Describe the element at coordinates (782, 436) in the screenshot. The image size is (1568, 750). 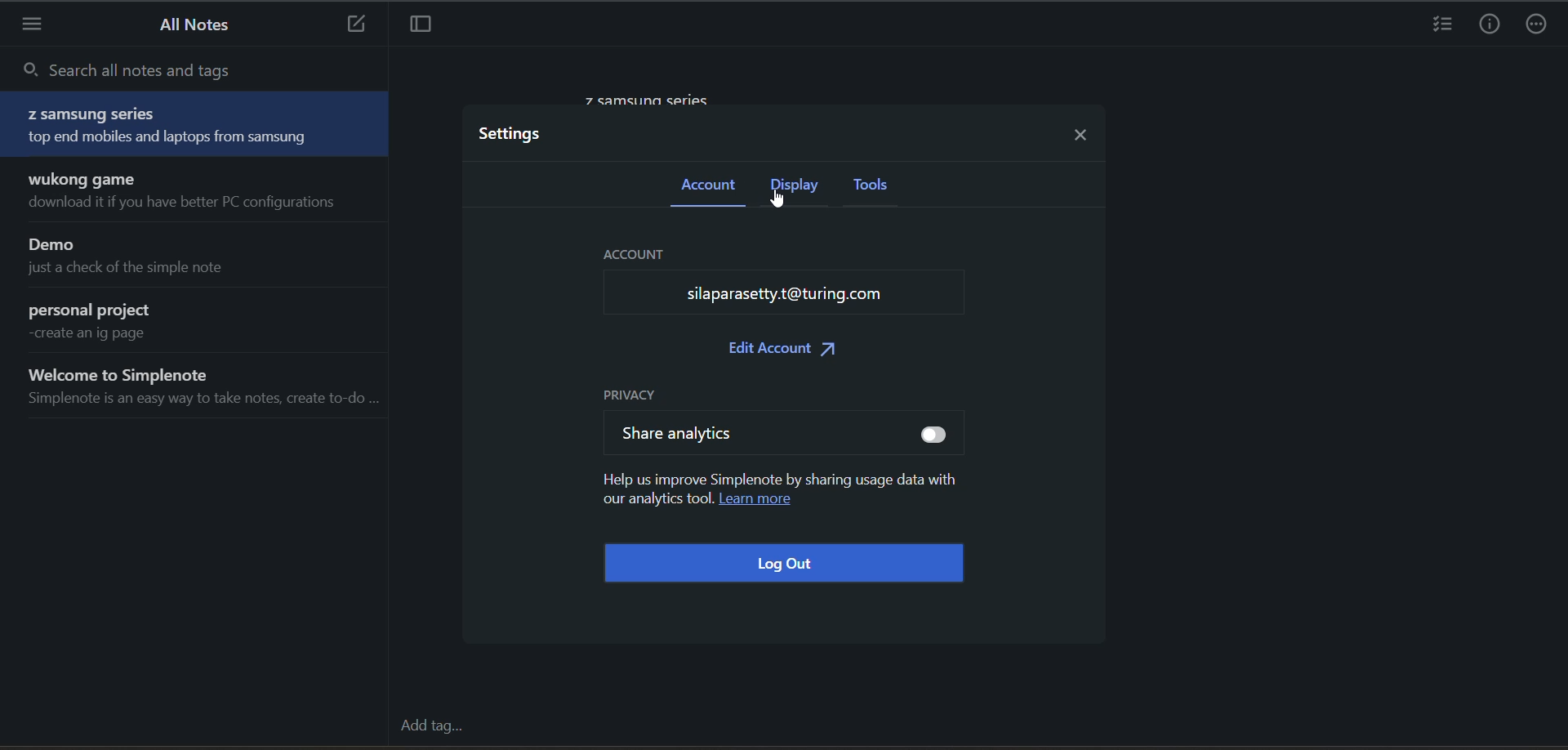
I see `share analytics` at that location.